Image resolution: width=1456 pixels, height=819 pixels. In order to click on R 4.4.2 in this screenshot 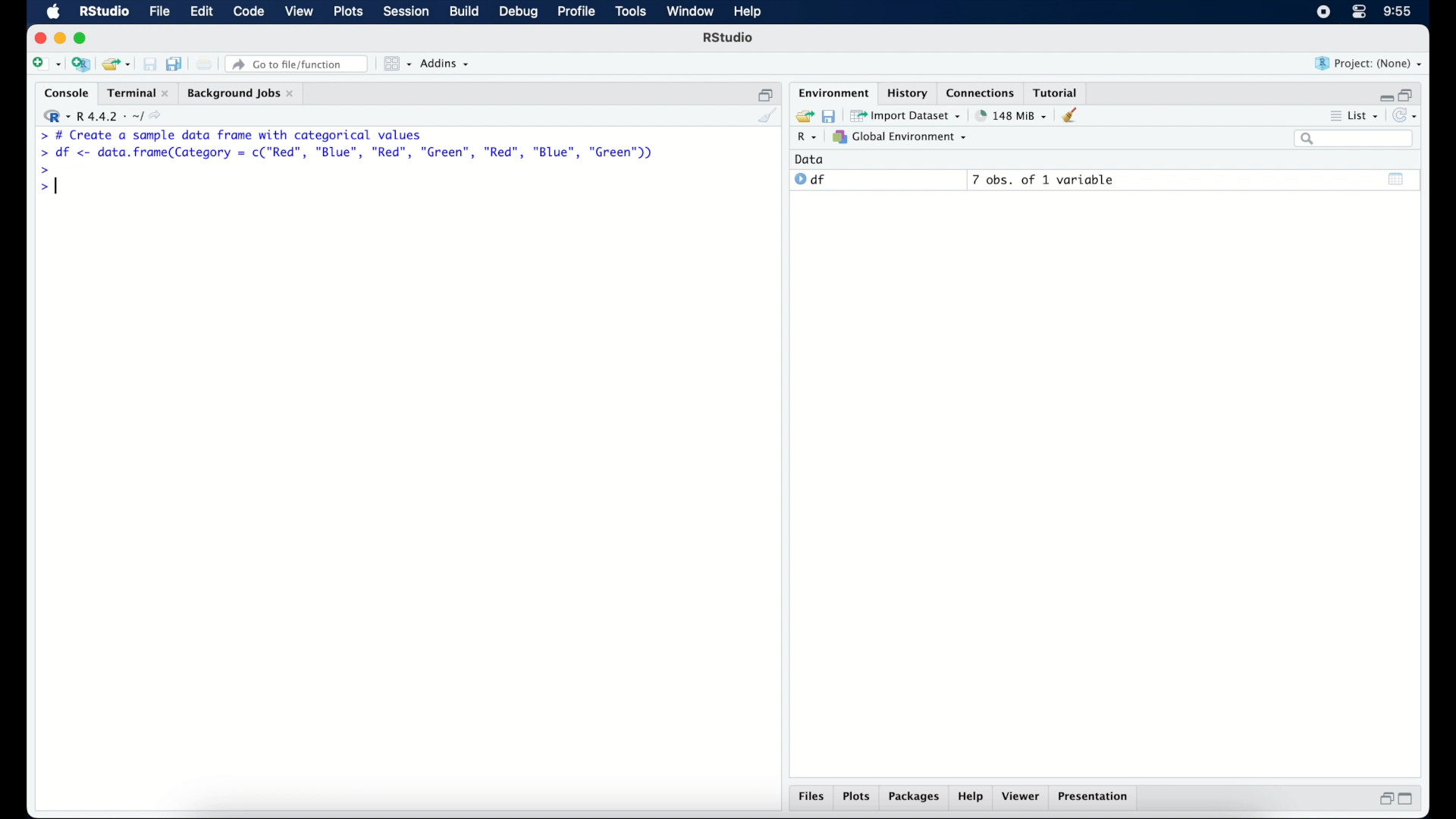, I will do `click(102, 114)`.